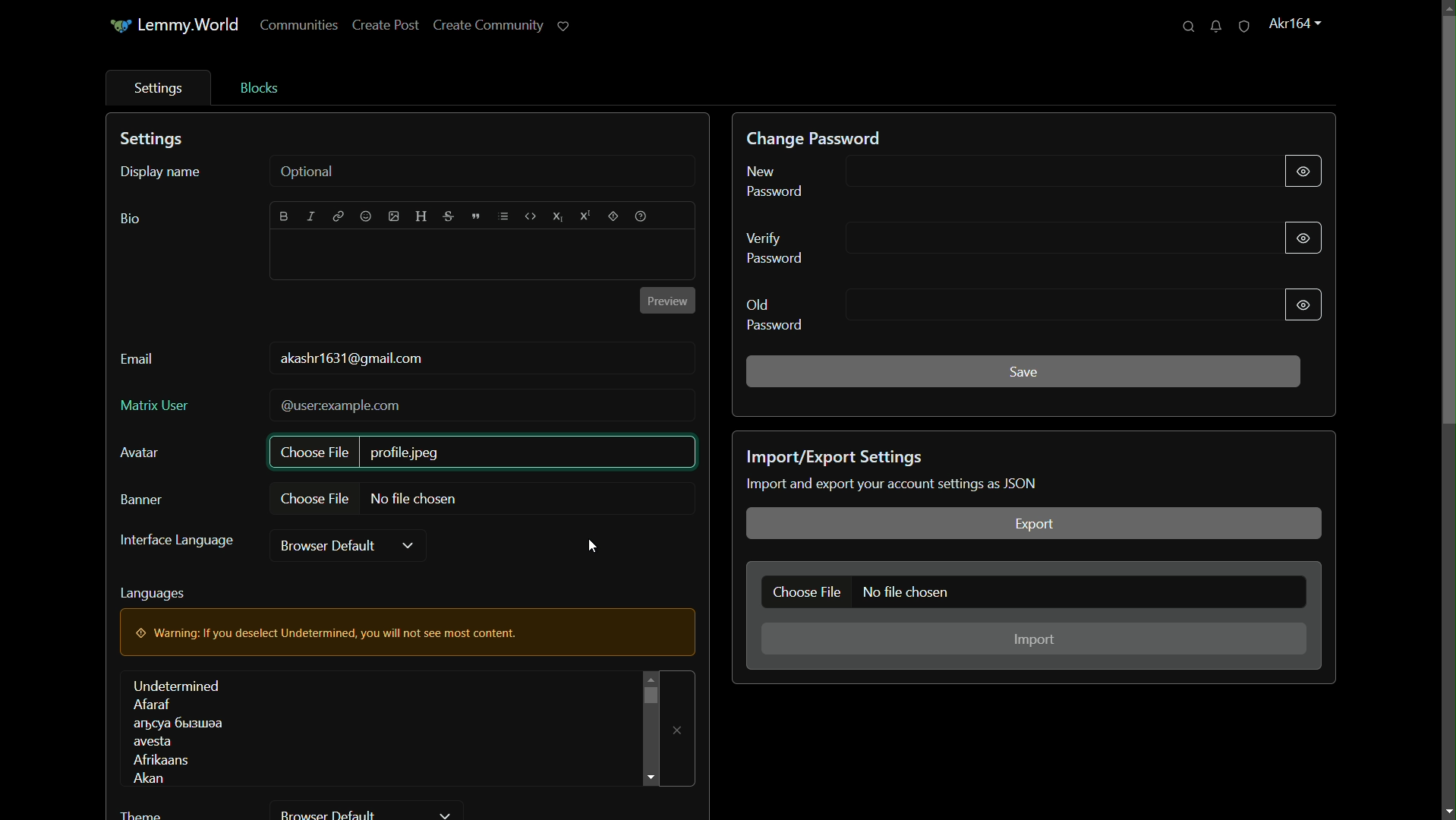 Image resolution: width=1456 pixels, height=820 pixels. What do you see at coordinates (191, 24) in the screenshot?
I see `server name` at bounding box center [191, 24].